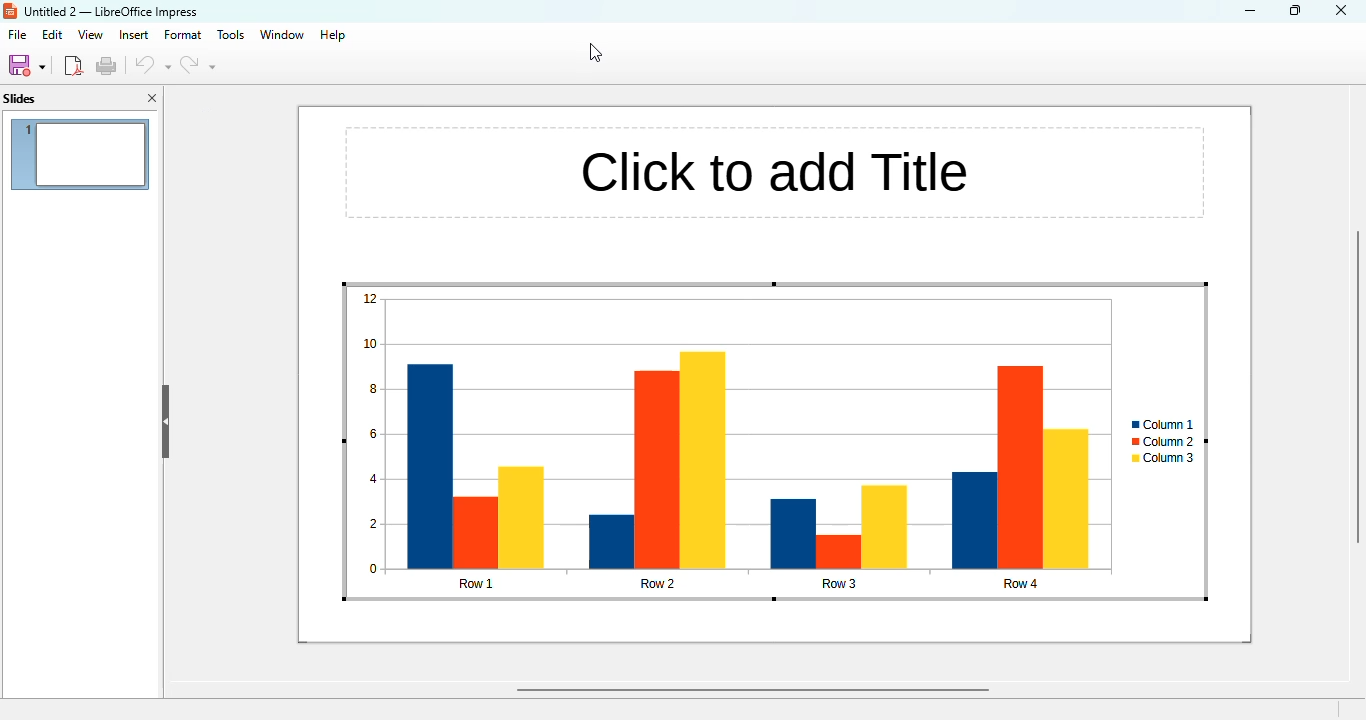 This screenshot has height=720, width=1366. Describe the element at coordinates (51, 34) in the screenshot. I see `edit` at that location.